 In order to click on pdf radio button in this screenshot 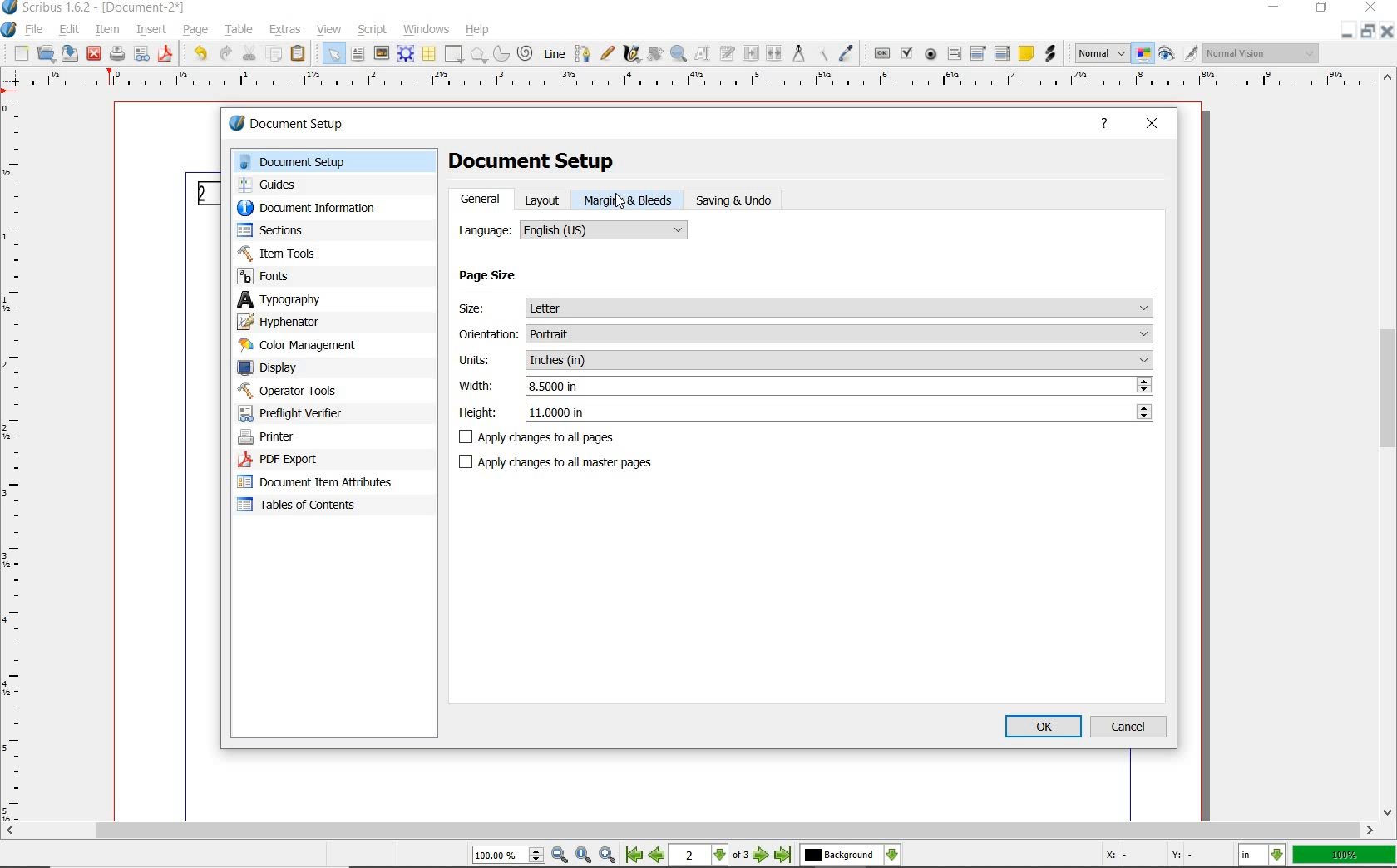, I will do `click(931, 54)`.